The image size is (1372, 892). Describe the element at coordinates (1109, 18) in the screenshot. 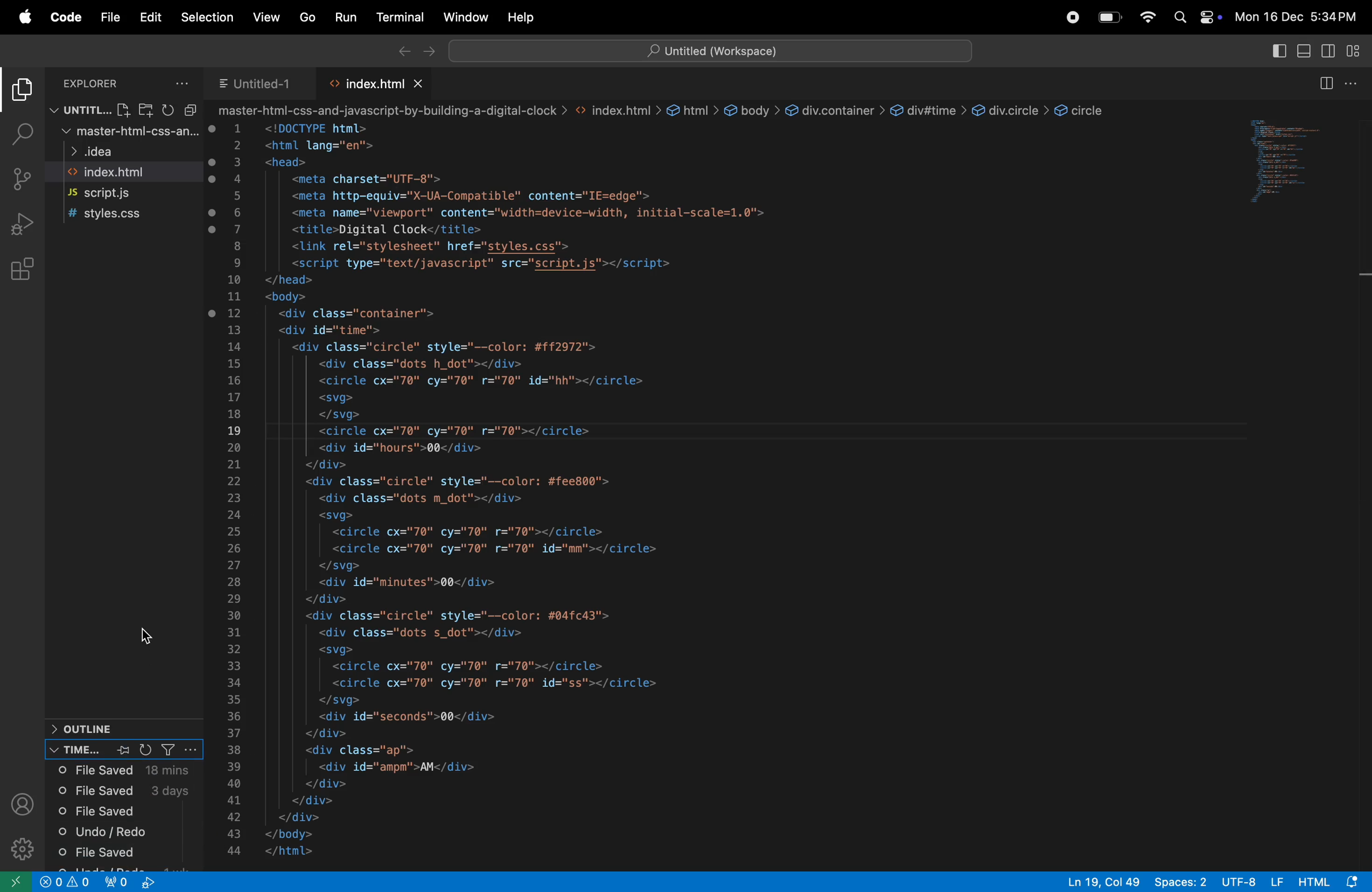

I see `battery ` at that location.